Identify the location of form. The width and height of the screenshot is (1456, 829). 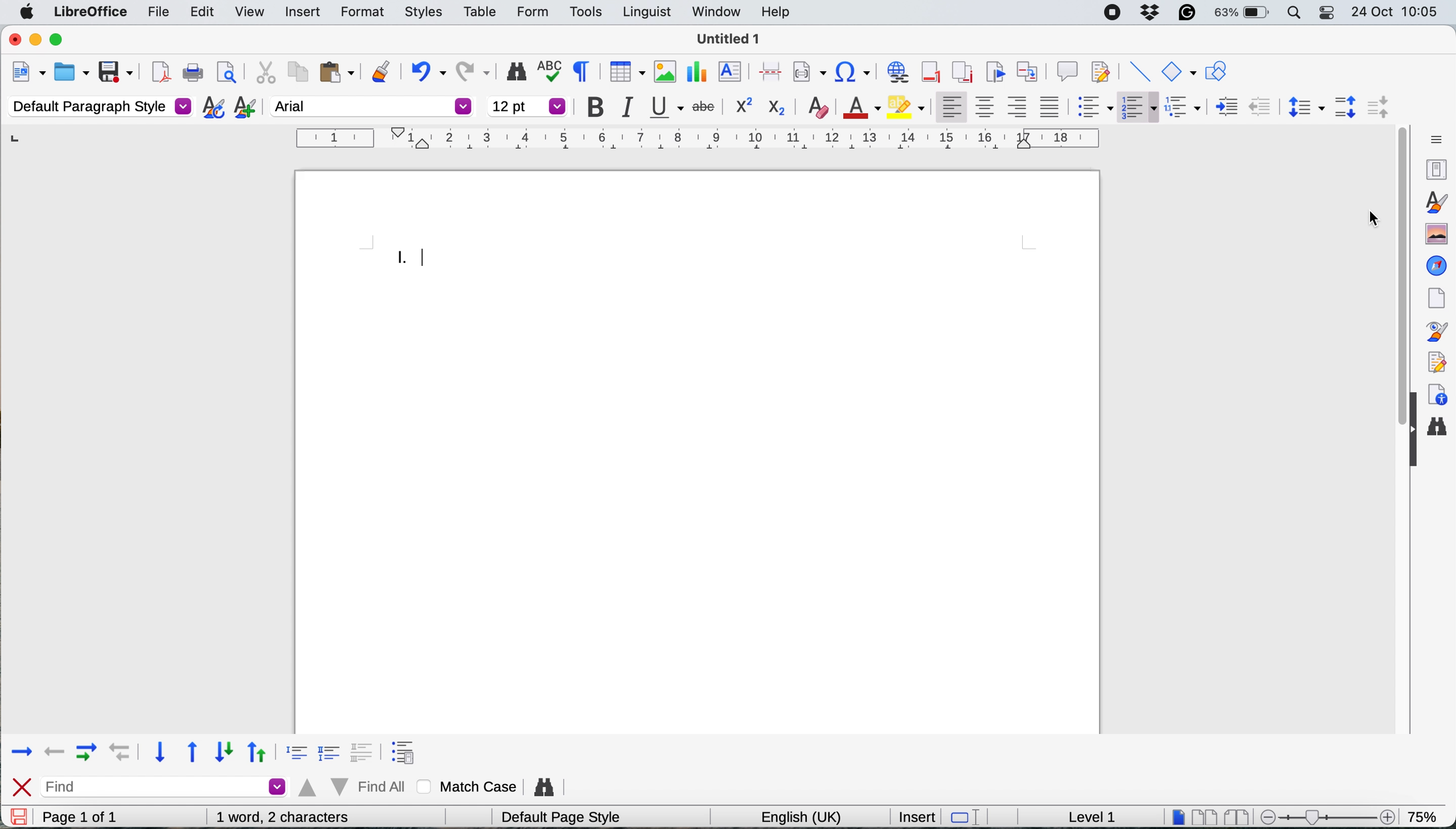
(529, 13).